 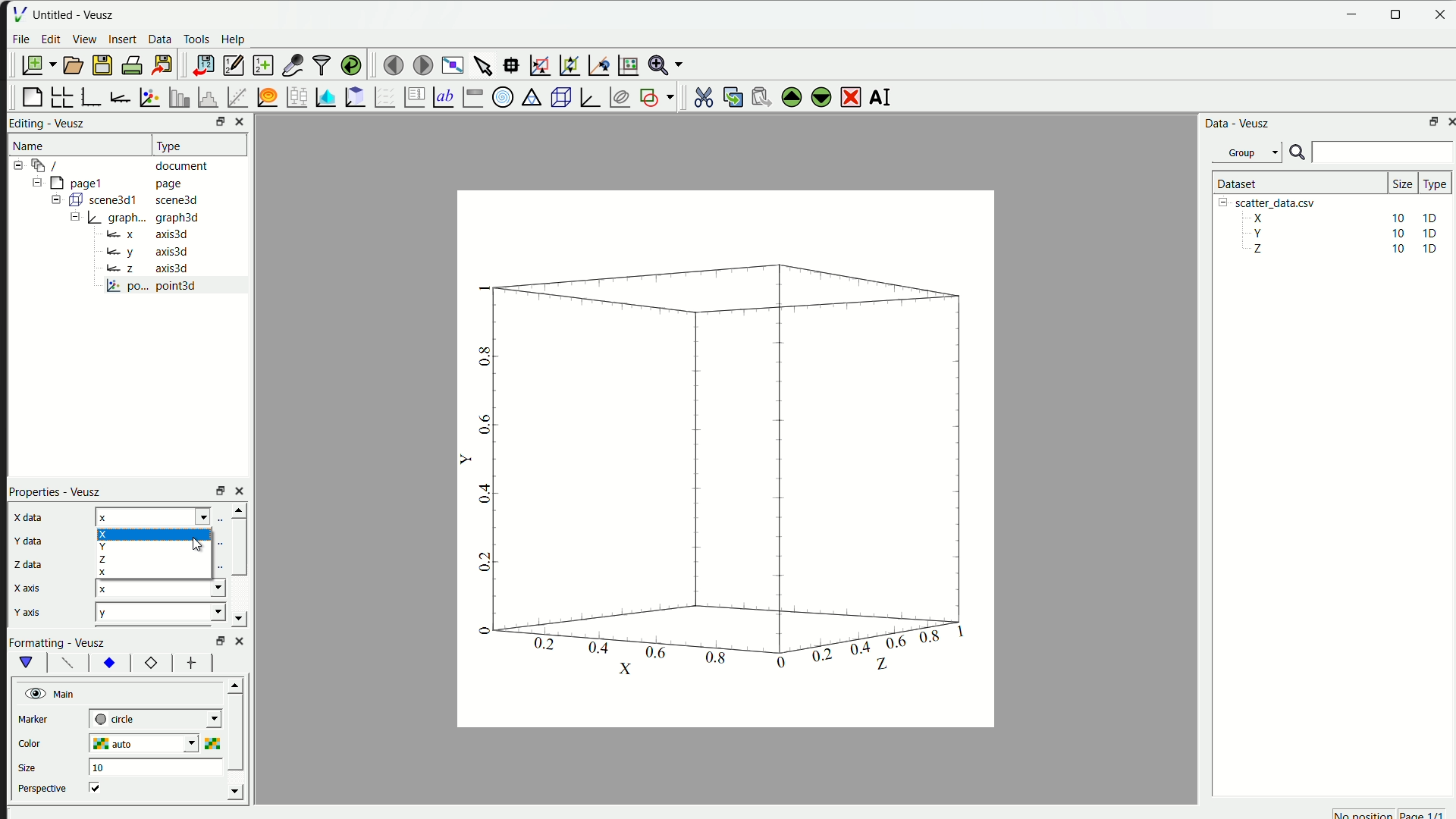 What do you see at coordinates (627, 63) in the screenshot?
I see `Reset graph axes` at bounding box center [627, 63].